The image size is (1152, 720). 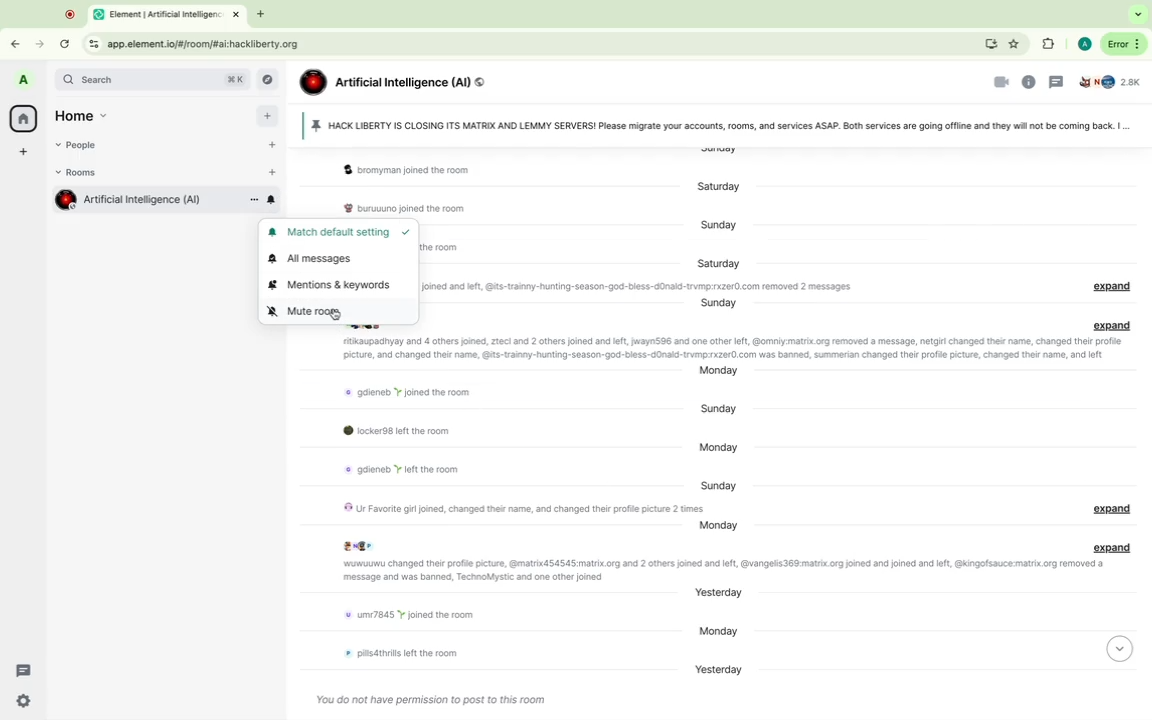 What do you see at coordinates (253, 200) in the screenshot?
I see `Room options` at bounding box center [253, 200].